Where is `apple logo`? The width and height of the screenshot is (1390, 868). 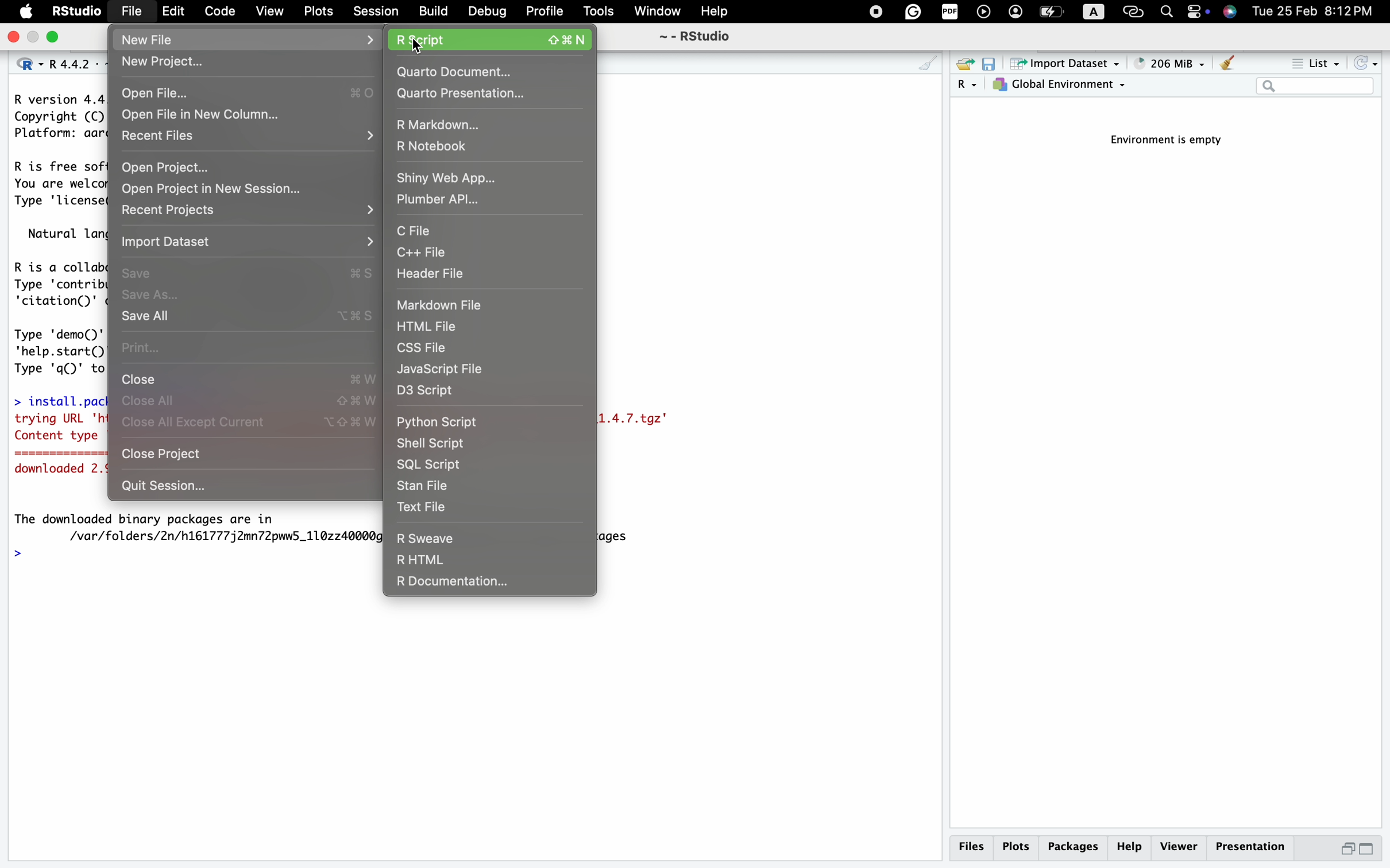 apple logo is located at coordinates (23, 12).